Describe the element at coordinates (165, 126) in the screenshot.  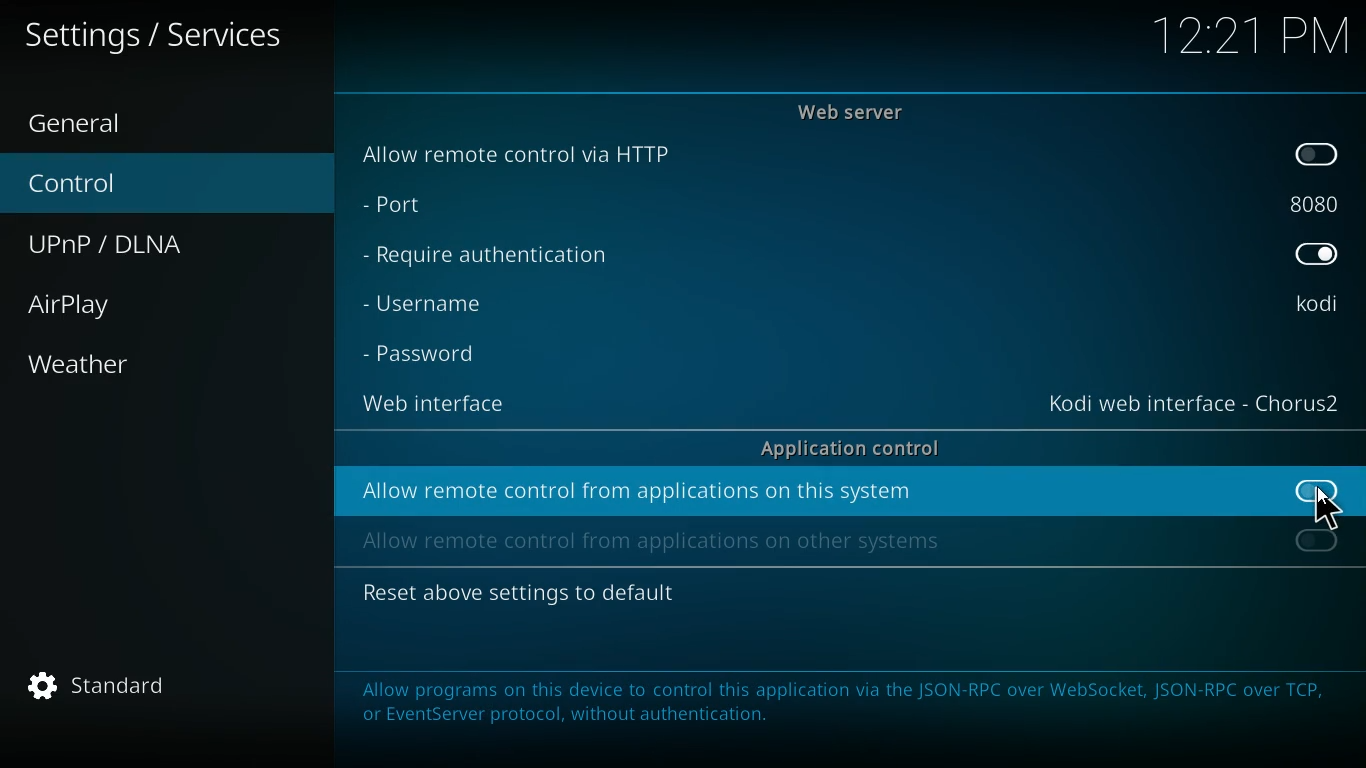
I see `general` at that location.